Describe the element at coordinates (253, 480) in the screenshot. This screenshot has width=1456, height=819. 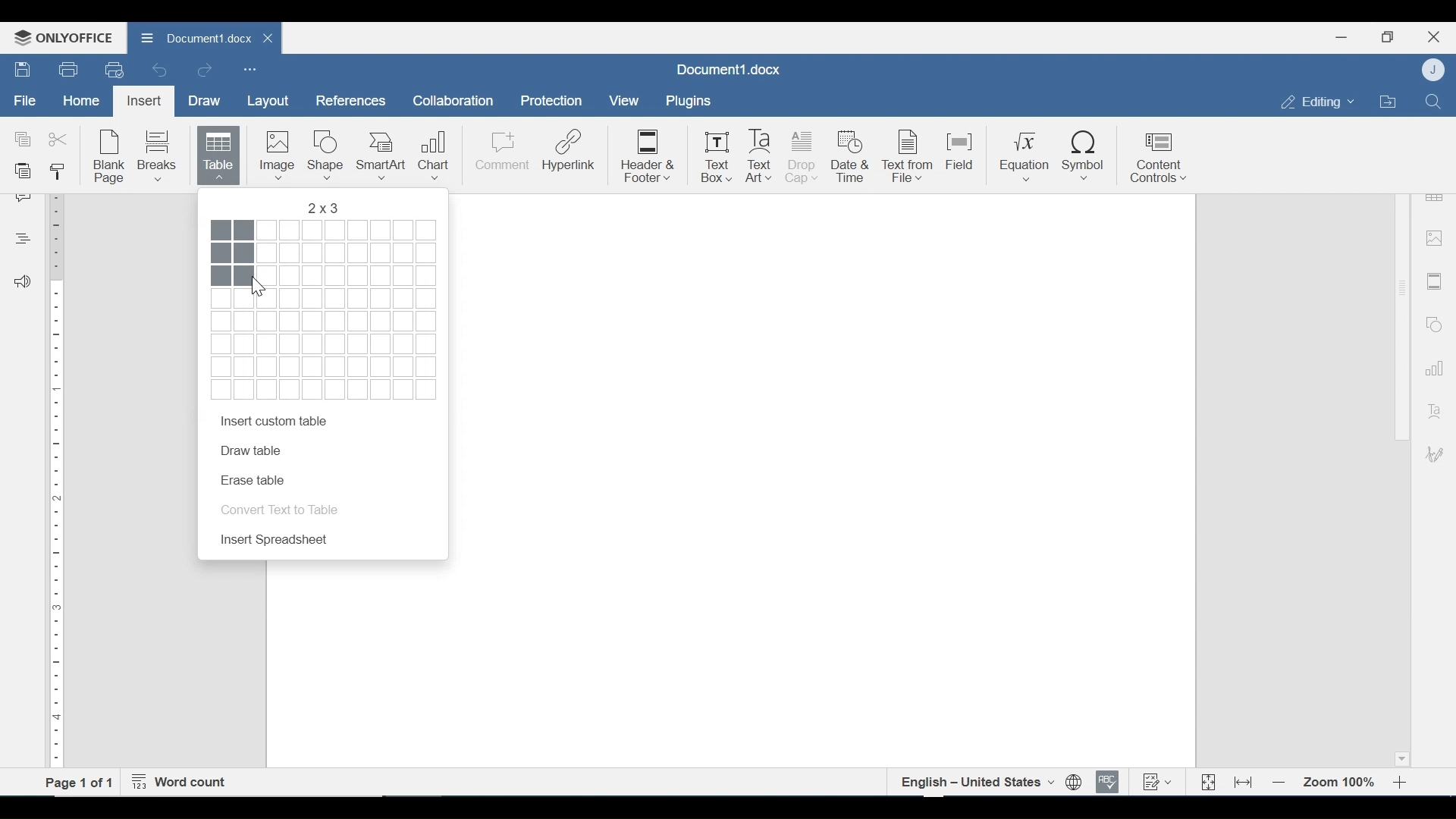
I see `Erase Table` at that location.